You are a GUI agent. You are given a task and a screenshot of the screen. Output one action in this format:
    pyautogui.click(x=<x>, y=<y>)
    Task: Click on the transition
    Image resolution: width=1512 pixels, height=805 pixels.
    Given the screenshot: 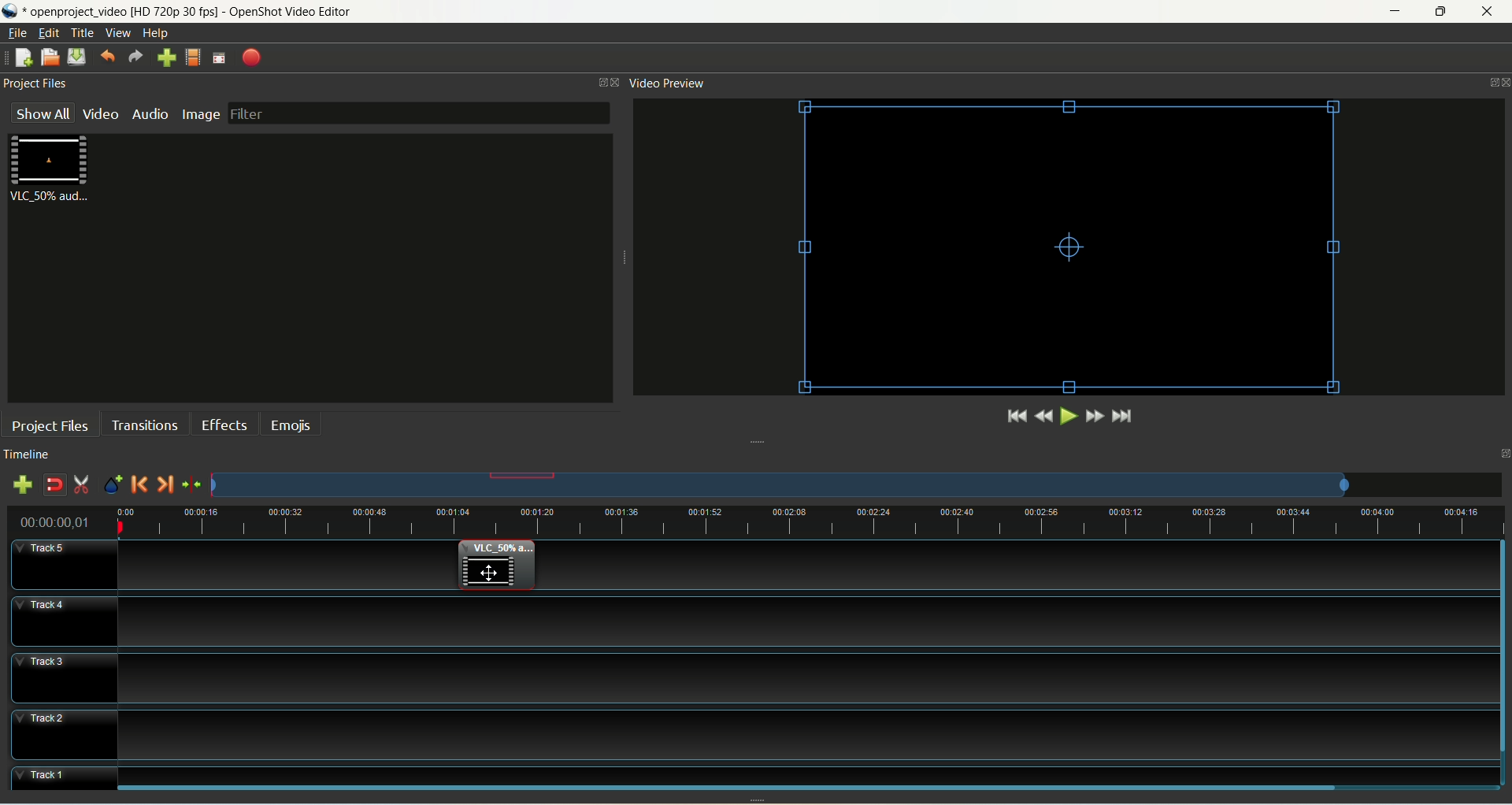 What is the action you would take?
    pyautogui.click(x=146, y=424)
    